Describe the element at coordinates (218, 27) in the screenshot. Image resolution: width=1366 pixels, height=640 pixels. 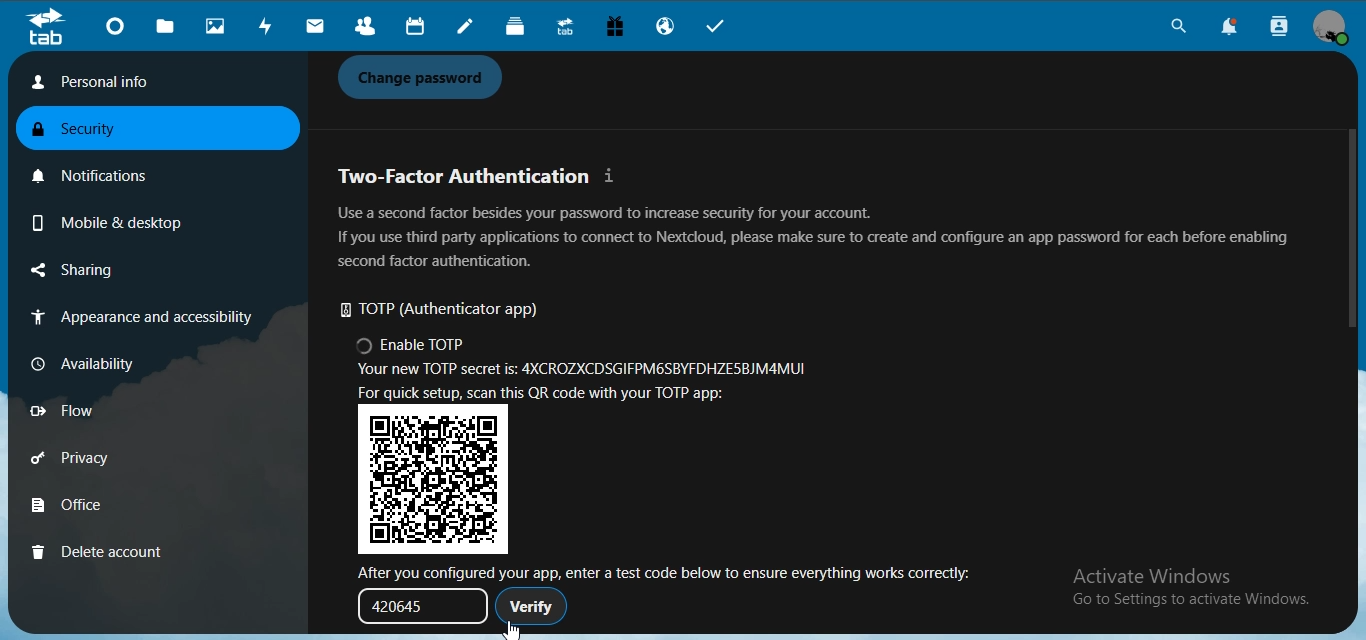
I see `photos` at that location.